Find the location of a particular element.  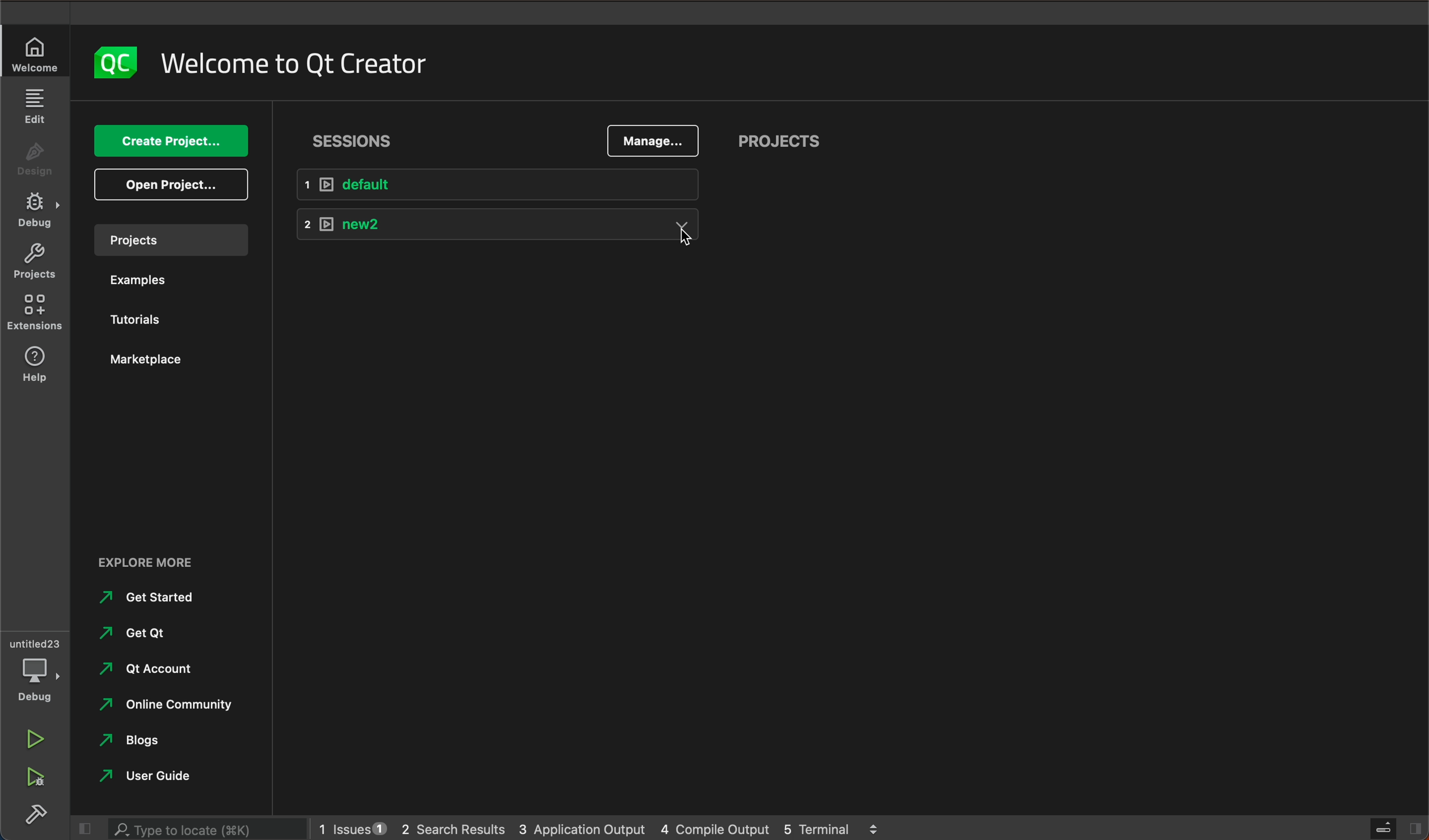

qt account is located at coordinates (153, 669).